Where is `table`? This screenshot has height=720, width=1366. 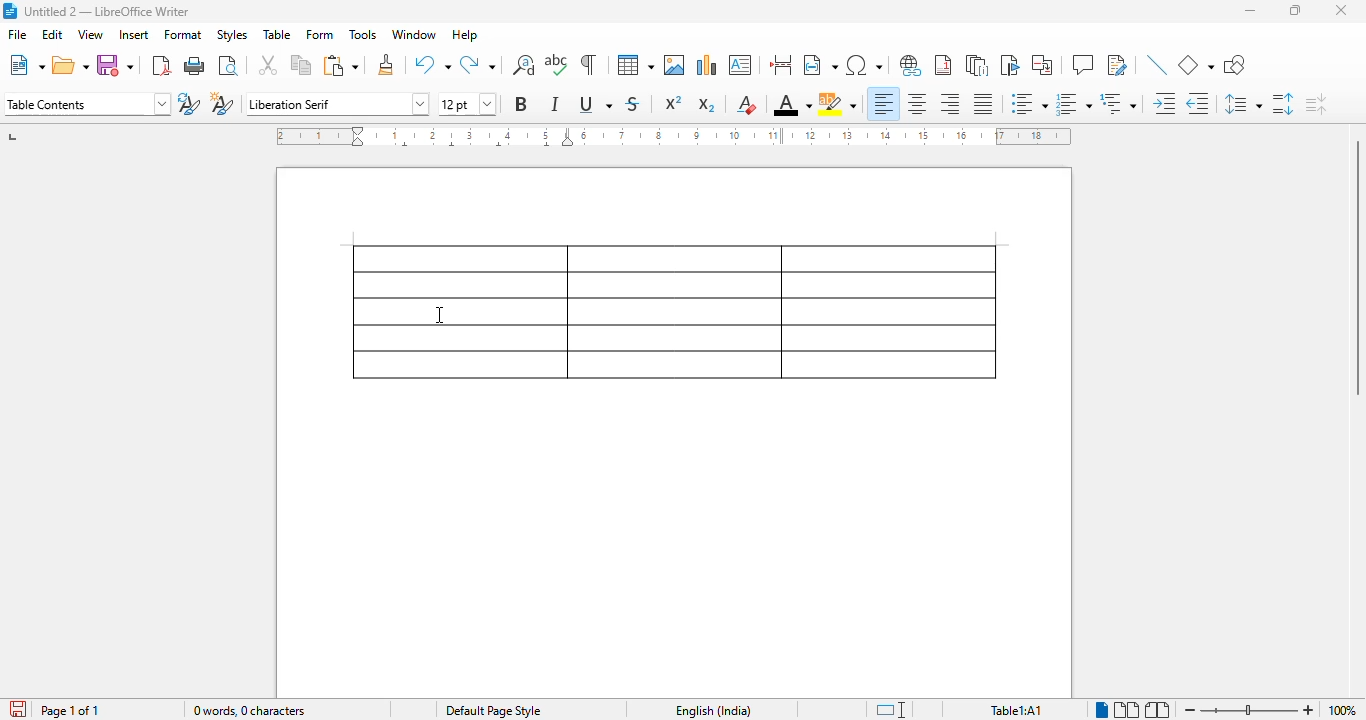 table is located at coordinates (675, 311).